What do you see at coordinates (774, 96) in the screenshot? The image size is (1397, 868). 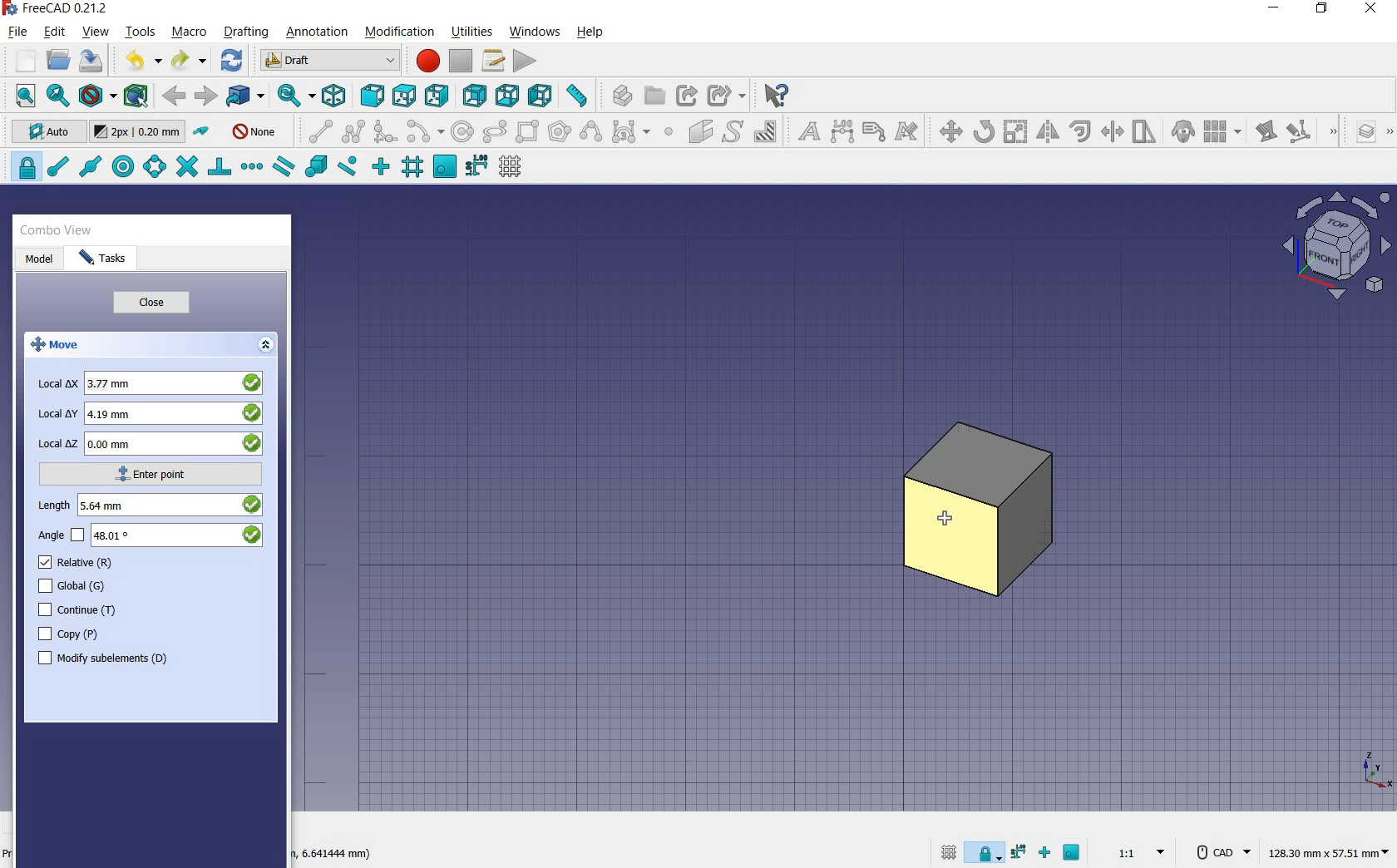 I see `what's this?` at bounding box center [774, 96].